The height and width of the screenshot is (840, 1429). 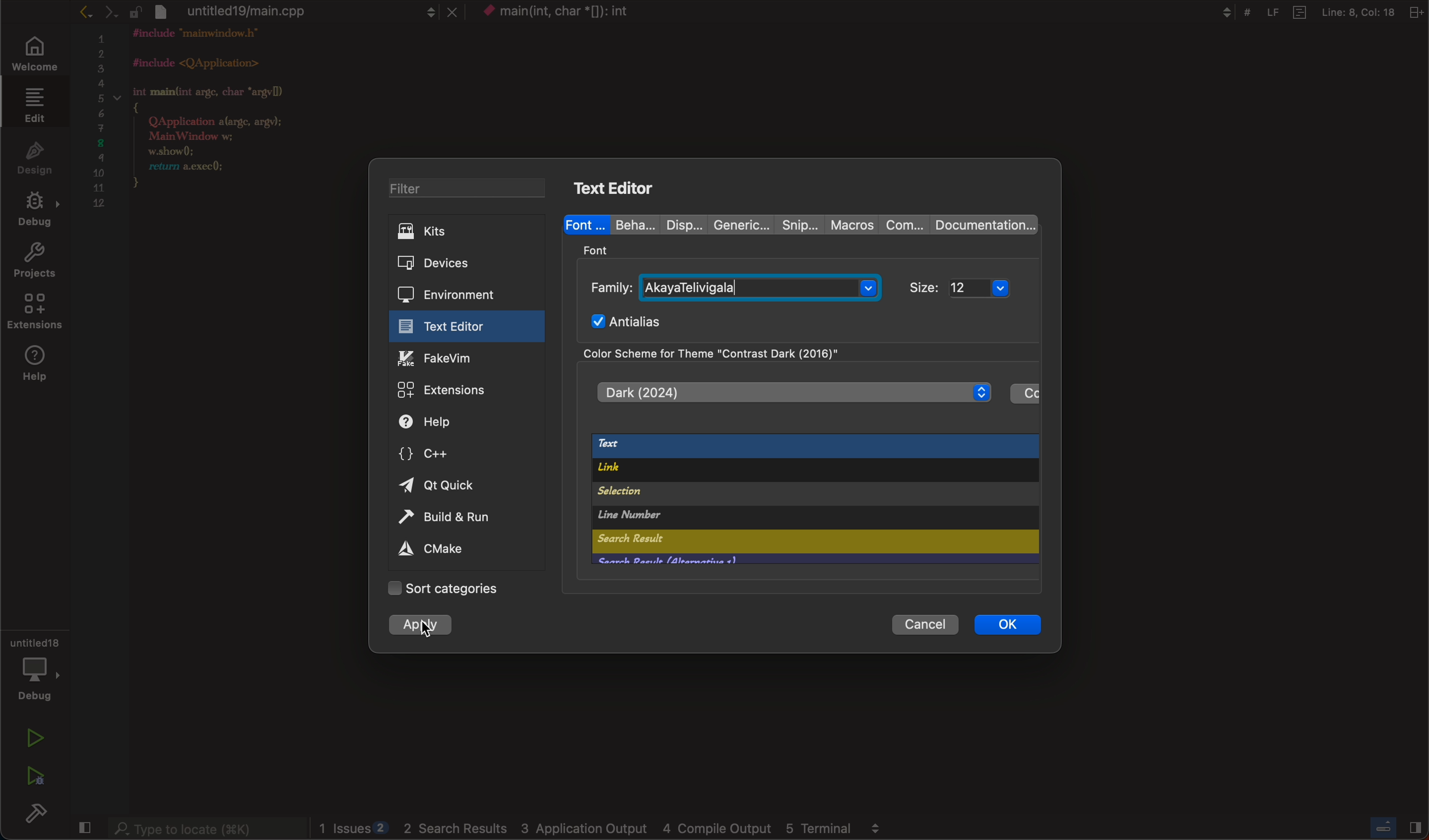 What do you see at coordinates (108, 12) in the screenshot?
I see `arrows` at bounding box center [108, 12].